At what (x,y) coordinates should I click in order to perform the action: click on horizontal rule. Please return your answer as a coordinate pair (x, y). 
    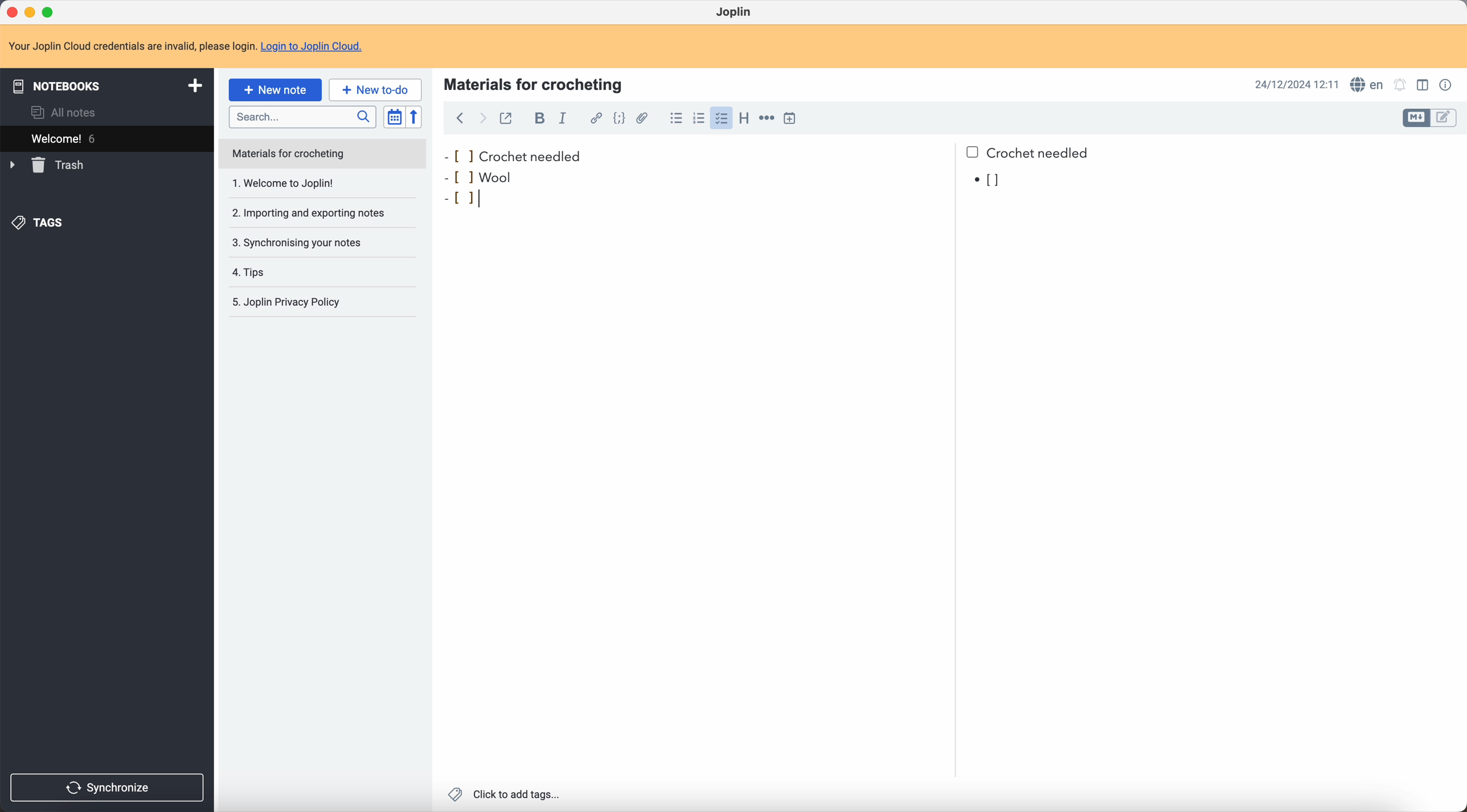
    Looking at the image, I should click on (766, 120).